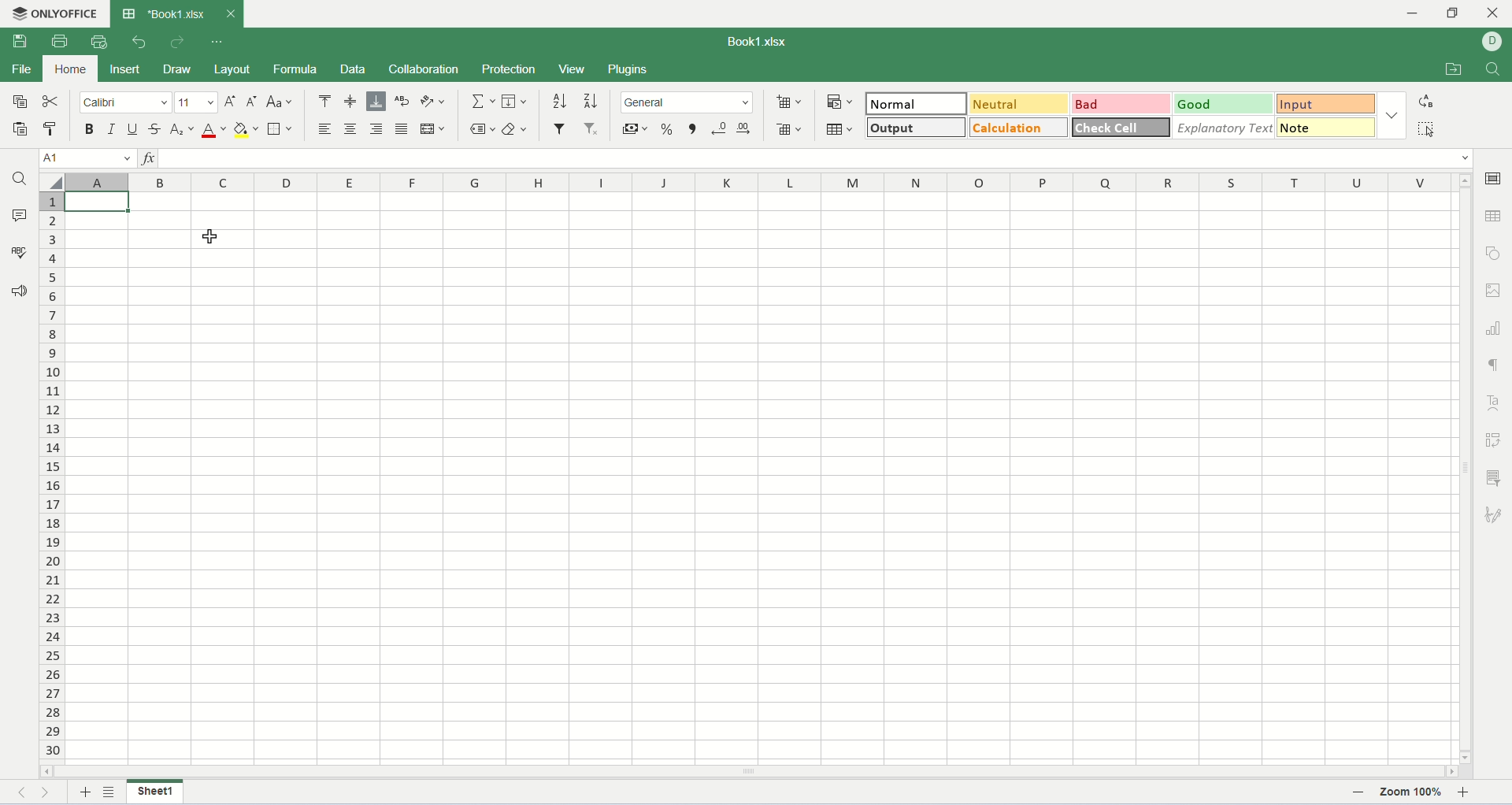  What do you see at coordinates (1496, 176) in the screenshot?
I see `cell settings` at bounding box center [1496, 176].